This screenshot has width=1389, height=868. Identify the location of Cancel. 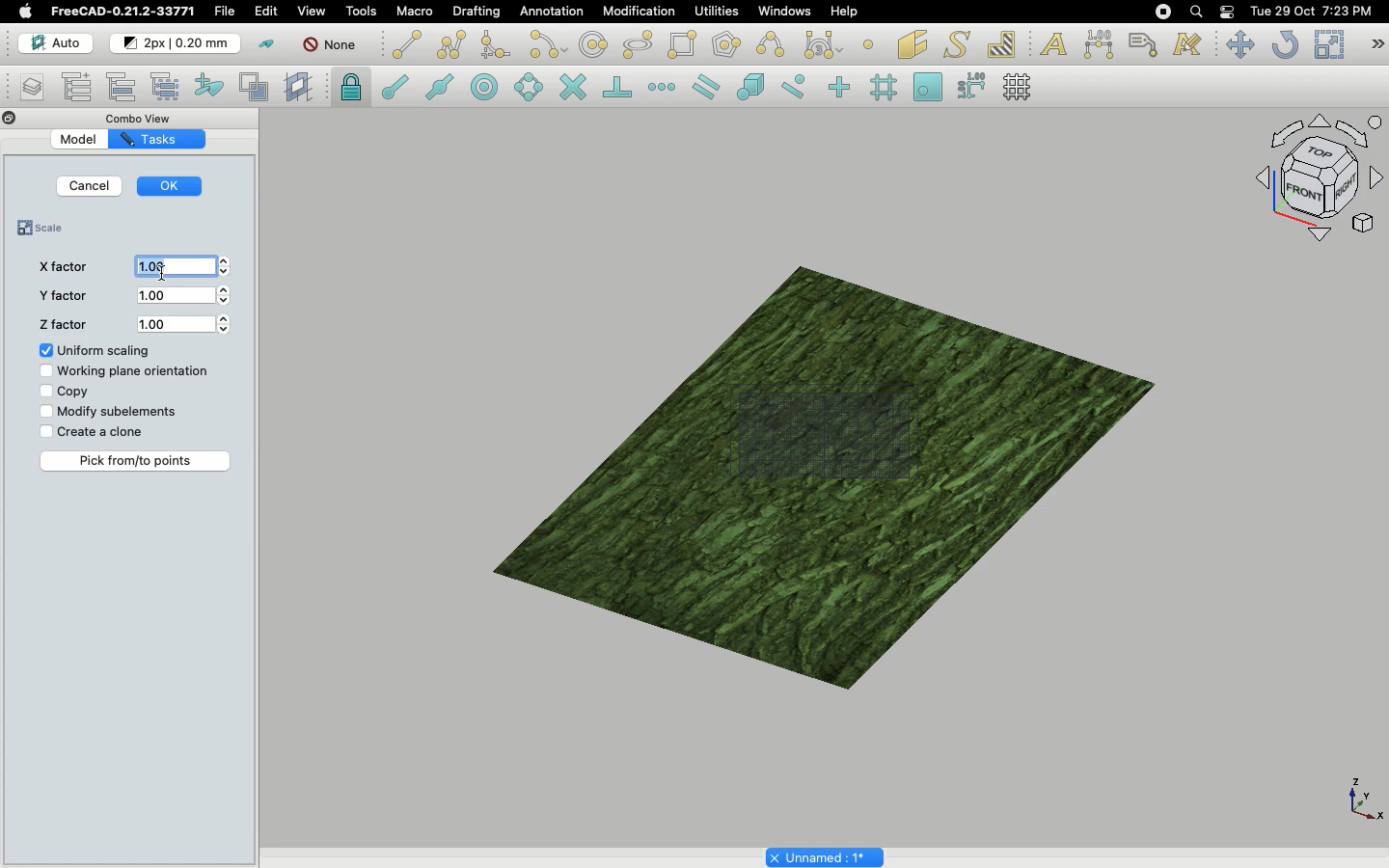
(91, 186).